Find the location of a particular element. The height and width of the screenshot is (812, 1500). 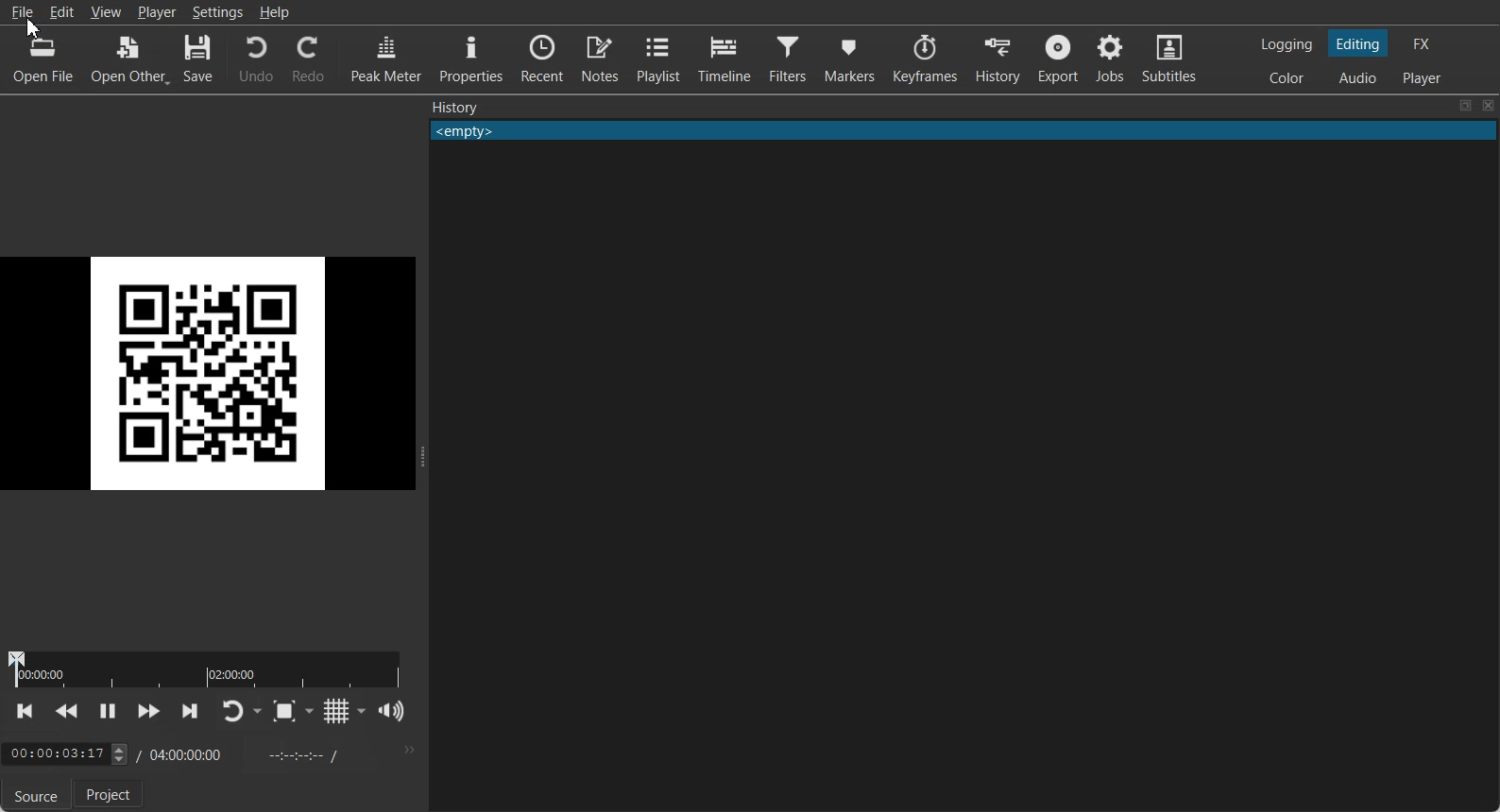

Drop down box is located at coordinates (259, 711).